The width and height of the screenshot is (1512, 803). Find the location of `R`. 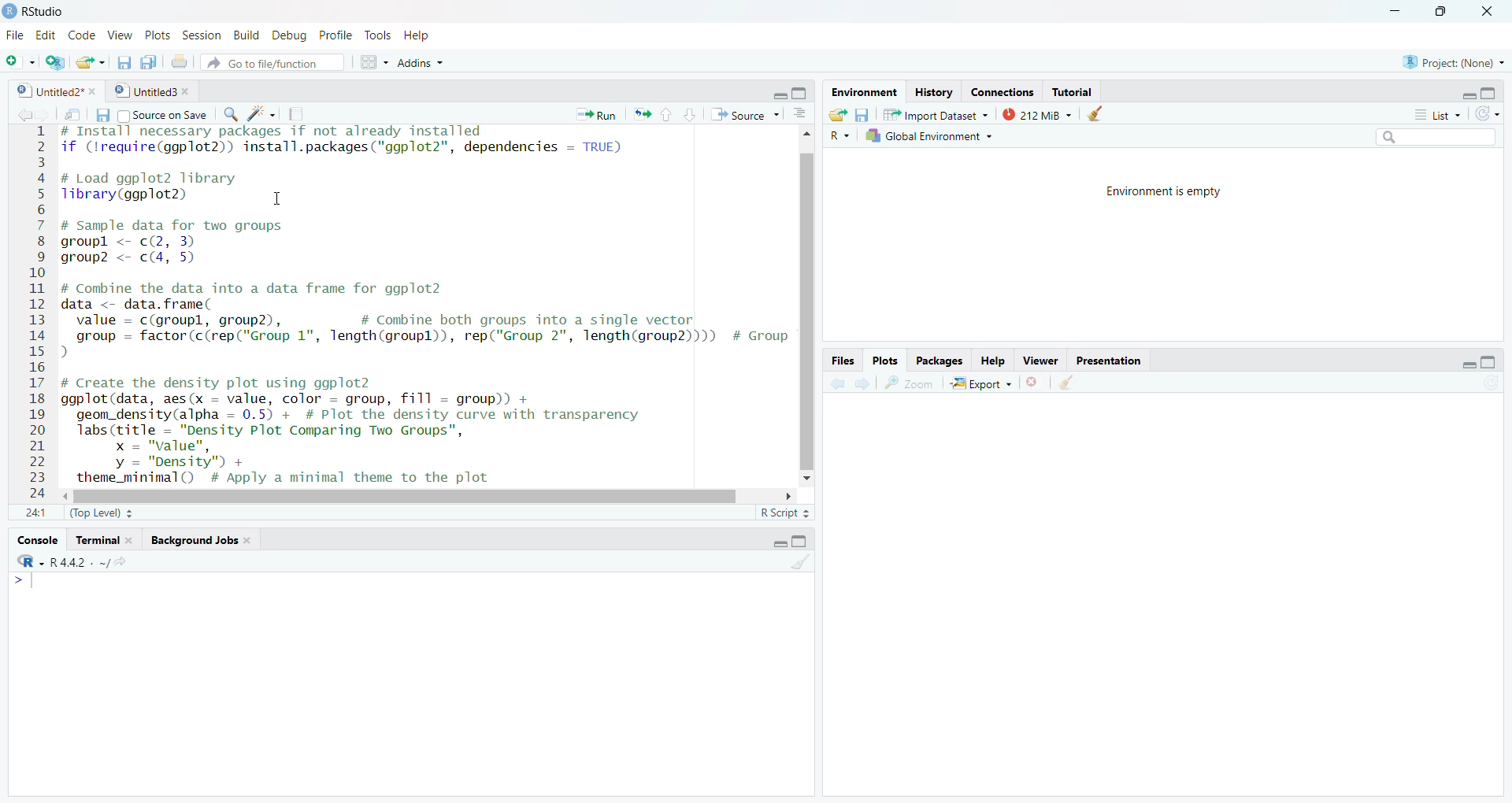

R is located at coordinates (839, 136).